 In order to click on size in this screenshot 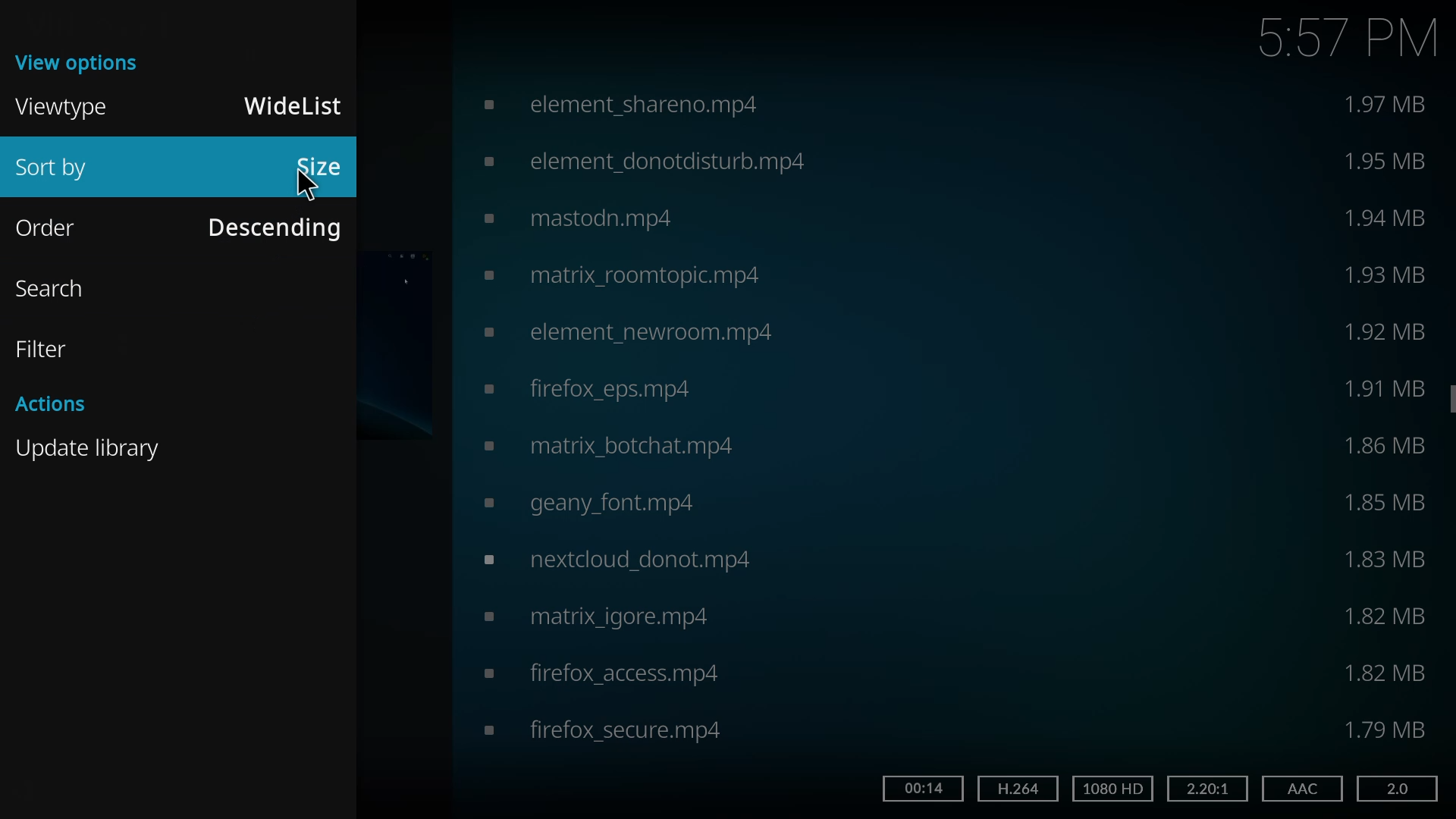, I will do `click(1389, 105)`.